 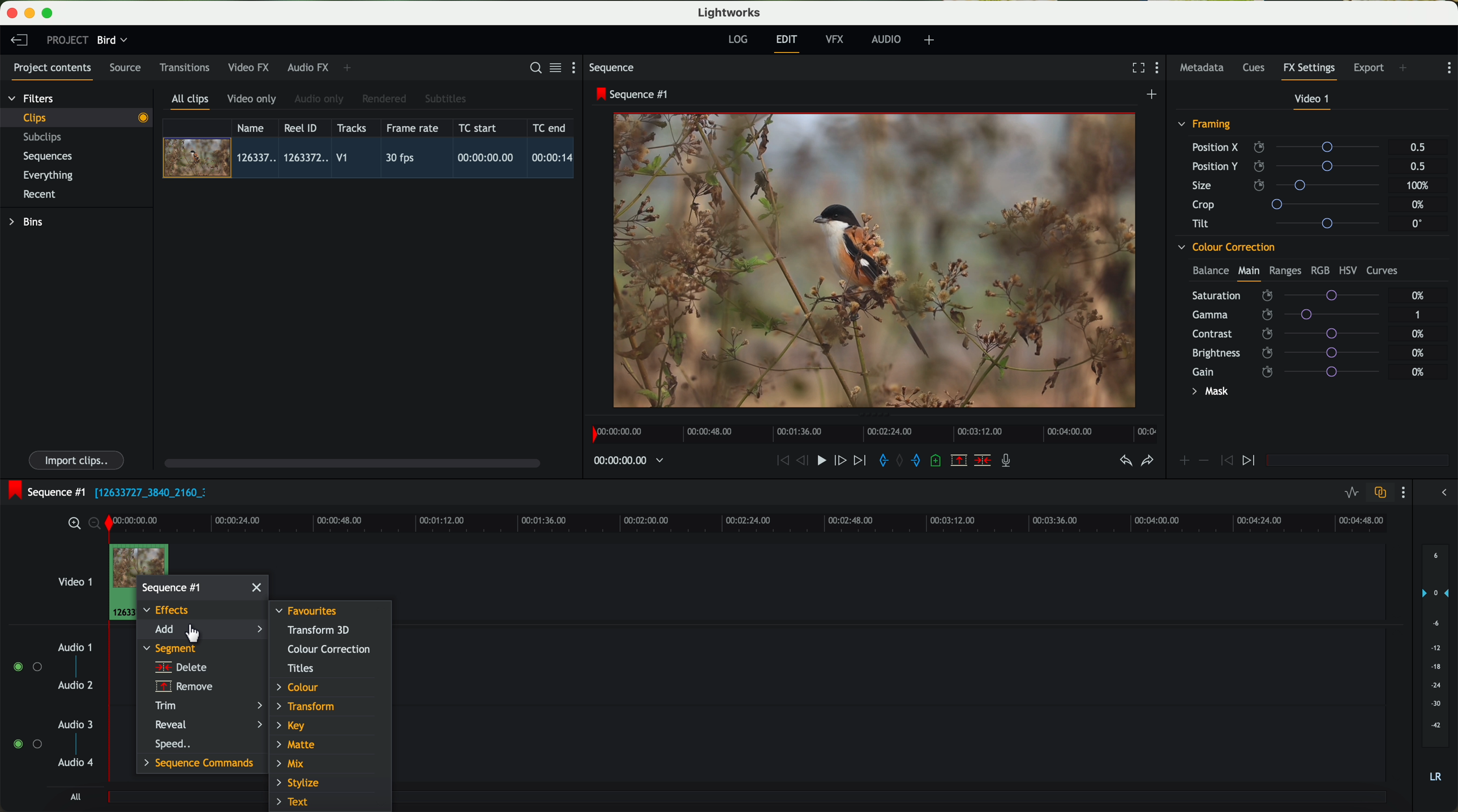 What do you see at coordinates (578, 67) in the screenshot?
I see `show settings menu` at bounding box center [578, 67].